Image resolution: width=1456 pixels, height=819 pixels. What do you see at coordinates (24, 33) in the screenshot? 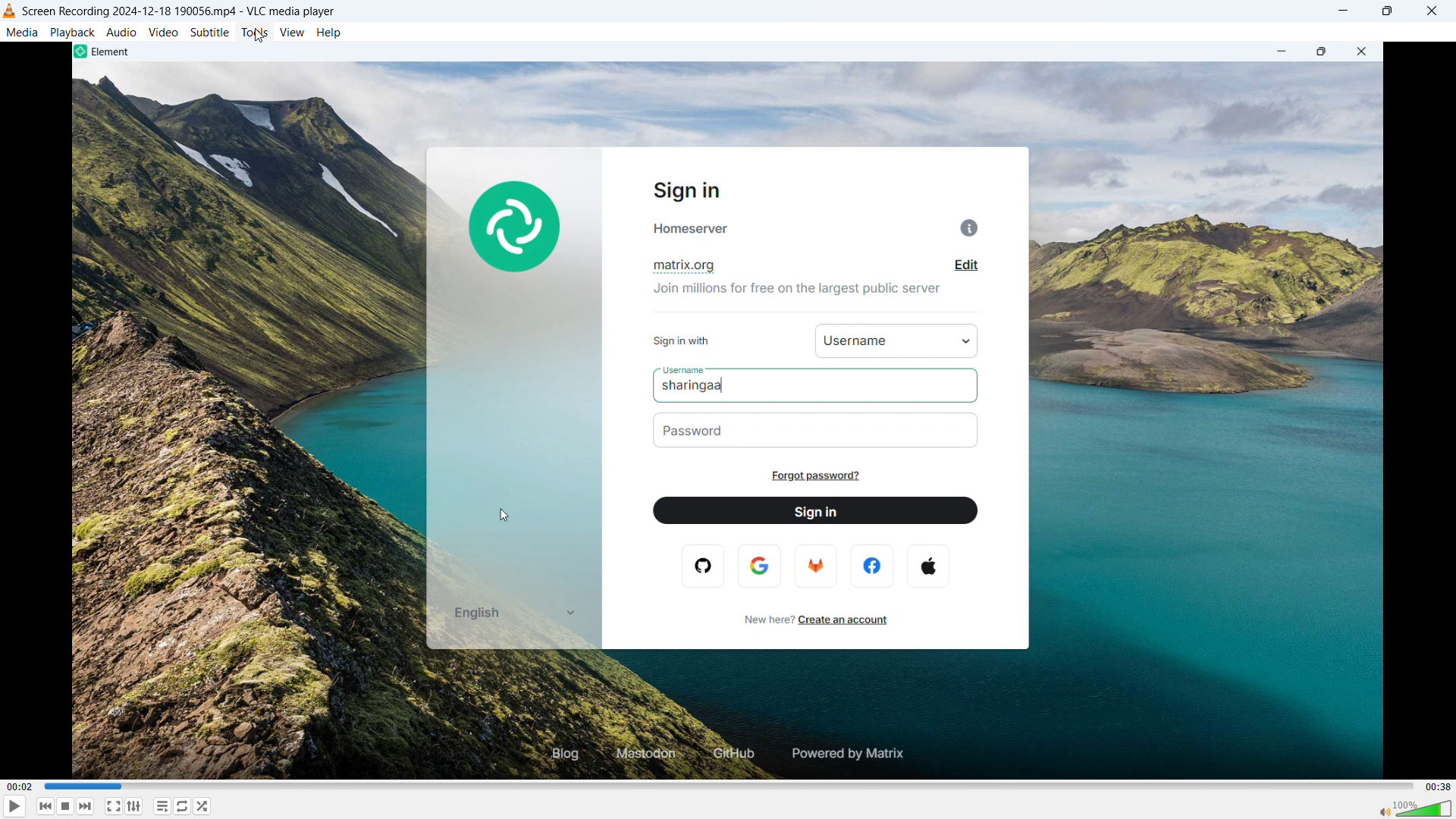
I see `media` at bounding box center [24, 33].